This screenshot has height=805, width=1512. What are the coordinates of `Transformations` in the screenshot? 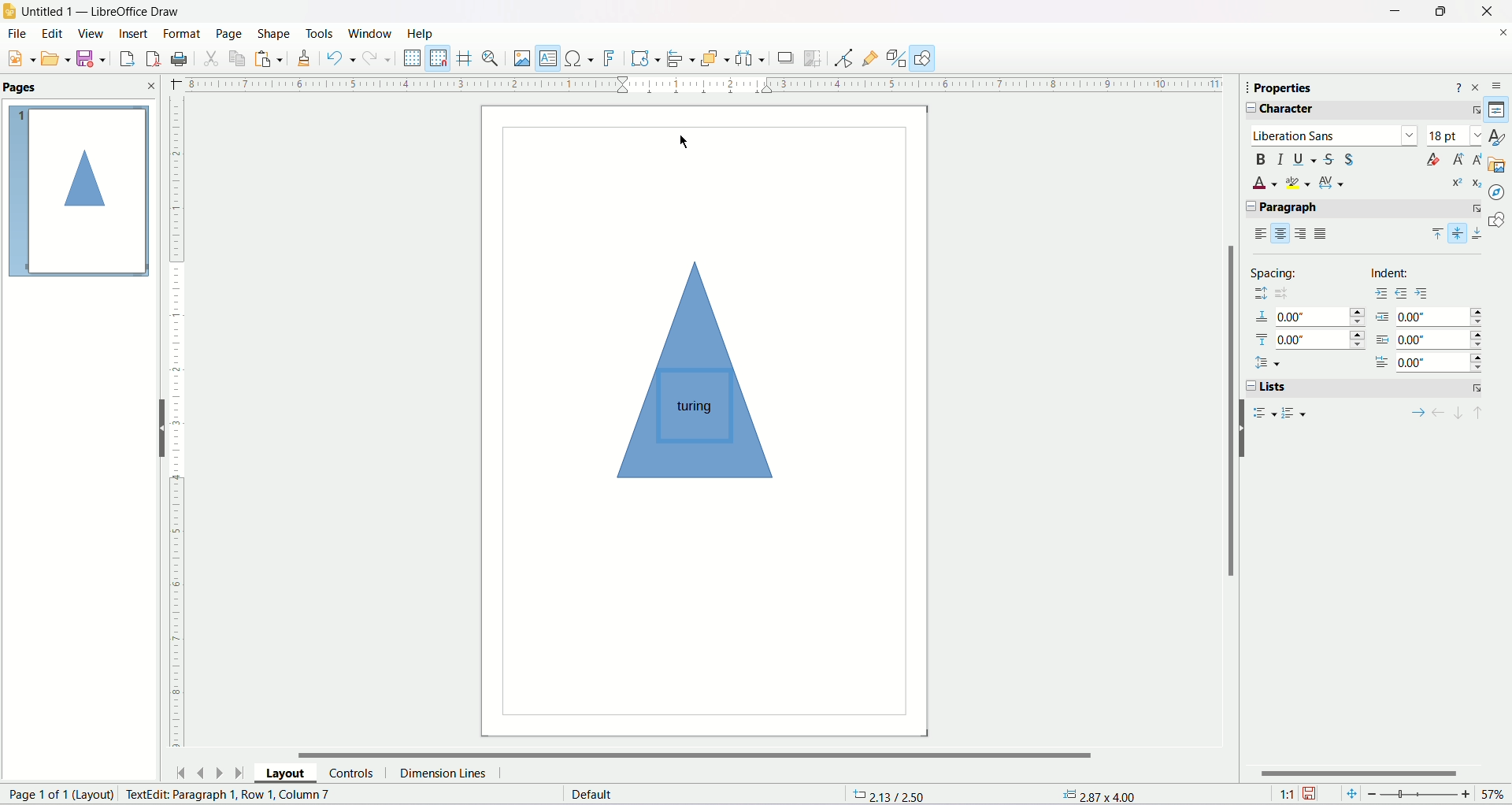 It's located at (646, 58).